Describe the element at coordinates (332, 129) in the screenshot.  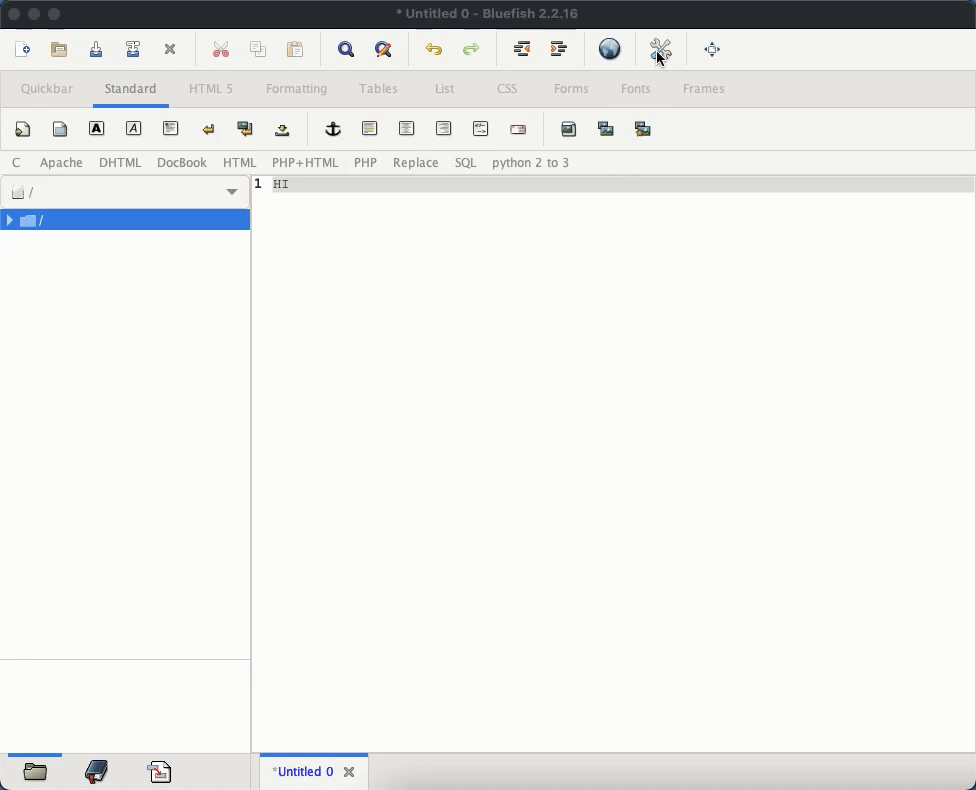
I see `anchor - hyperlink` at that location.